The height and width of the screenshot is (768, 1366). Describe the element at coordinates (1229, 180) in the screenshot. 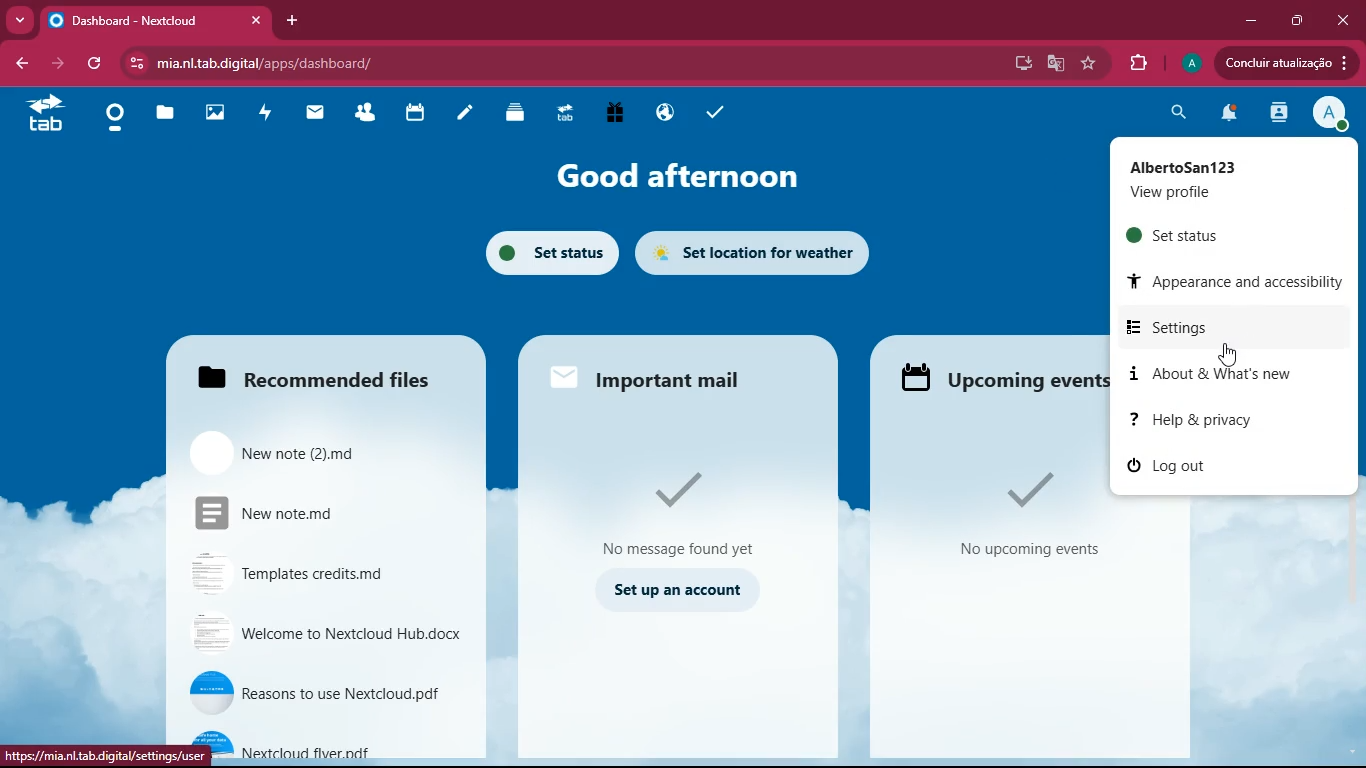

I see `AlbertoSan123 View Profile` at that location.